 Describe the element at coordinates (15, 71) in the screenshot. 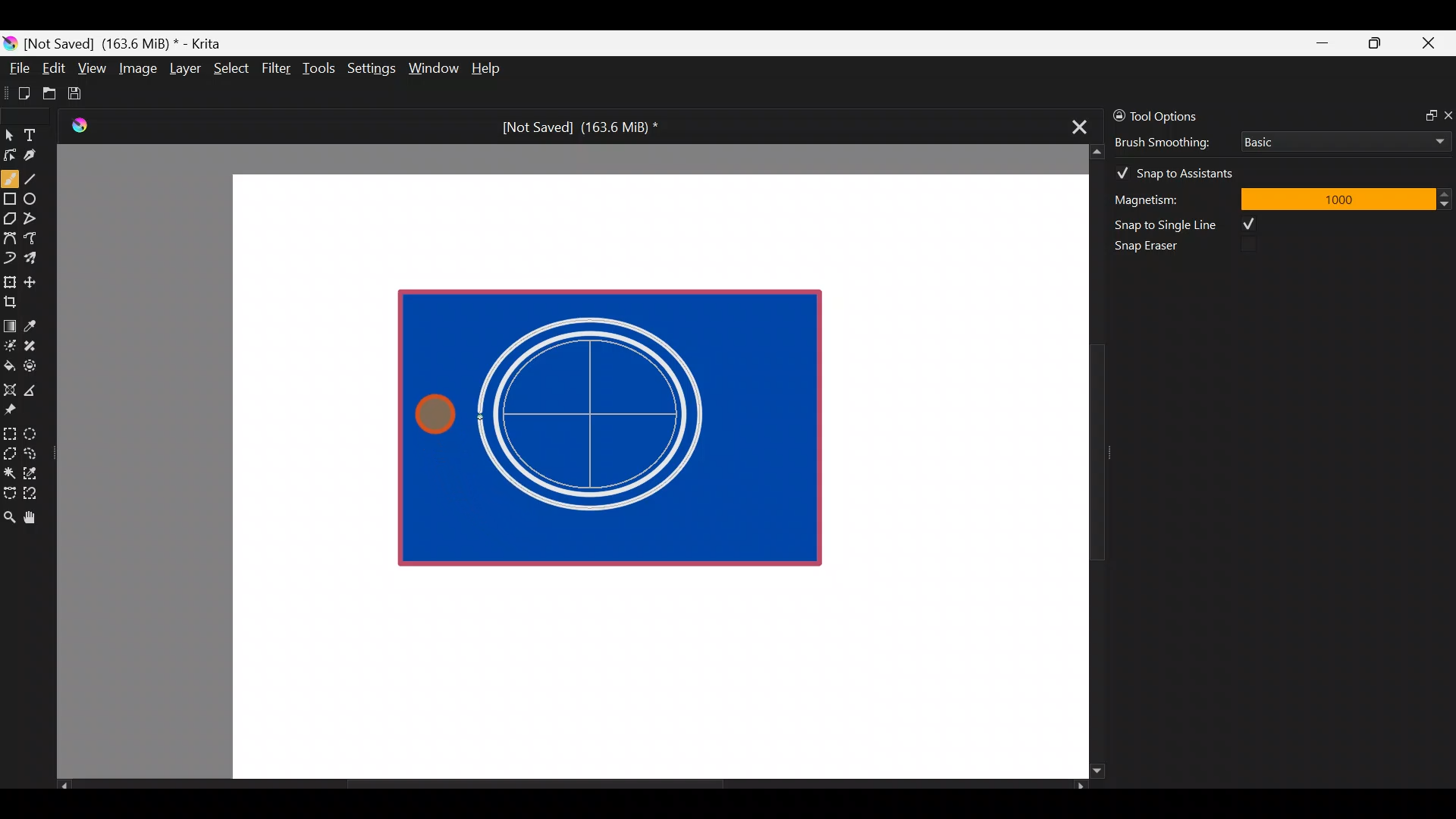

I see `File` at that location.